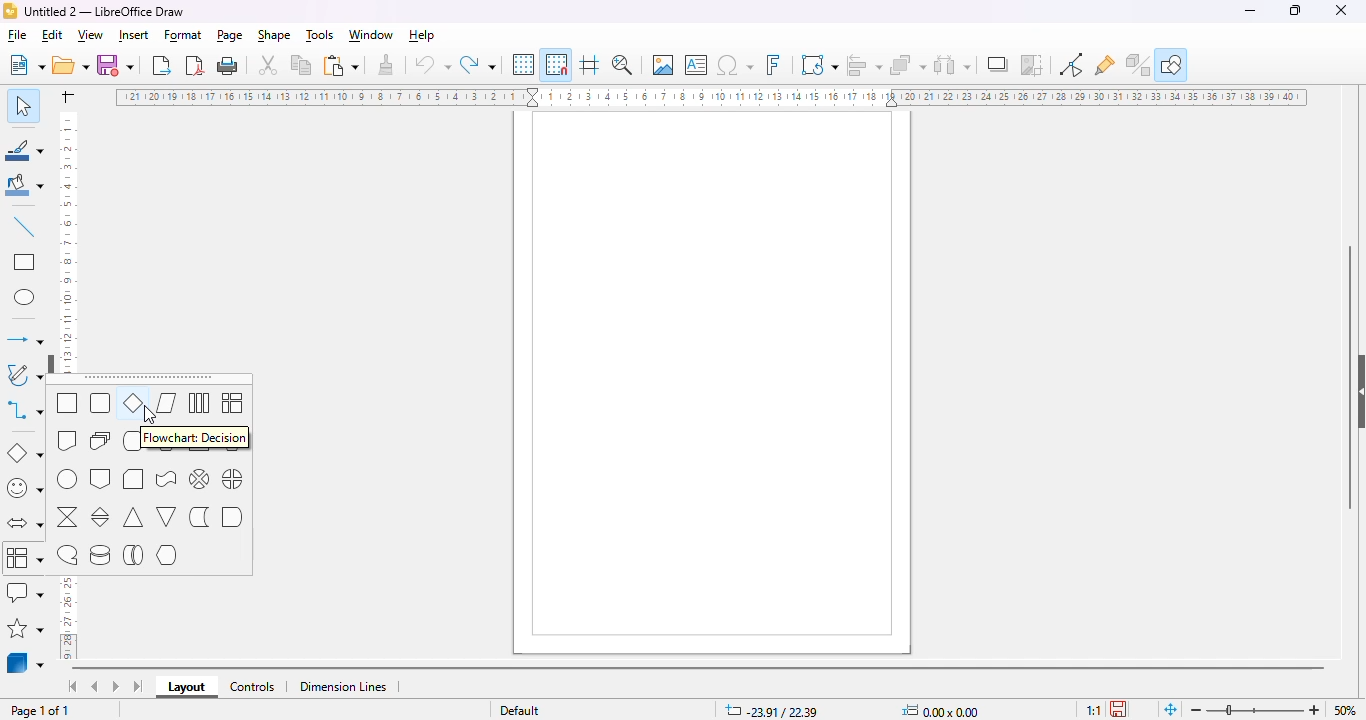 The height and width of the screenshot is (720, 1366). I want to click on paste, so click(341, 65).